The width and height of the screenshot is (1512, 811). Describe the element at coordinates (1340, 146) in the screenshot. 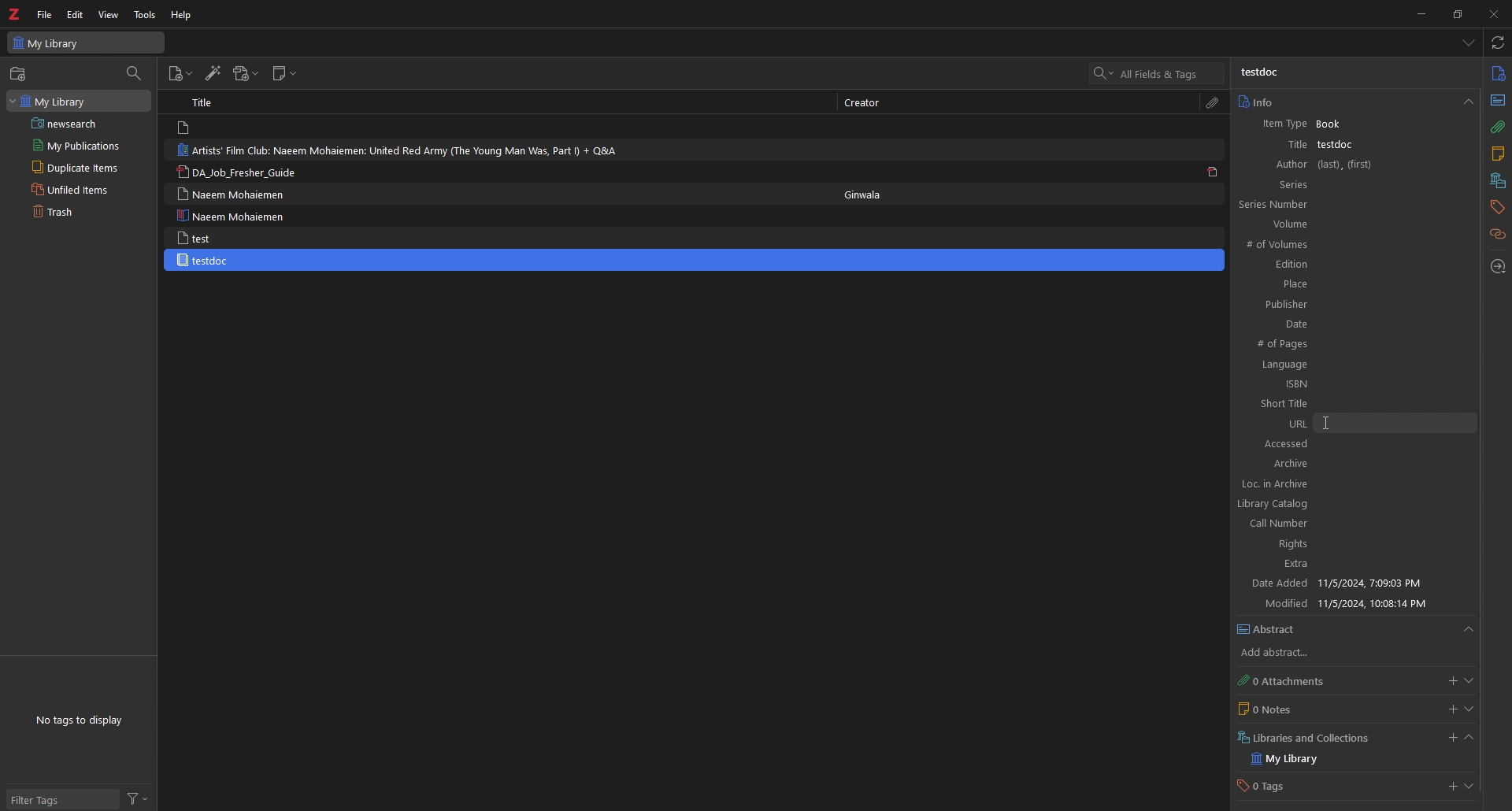

I see `testdoc` at that location.